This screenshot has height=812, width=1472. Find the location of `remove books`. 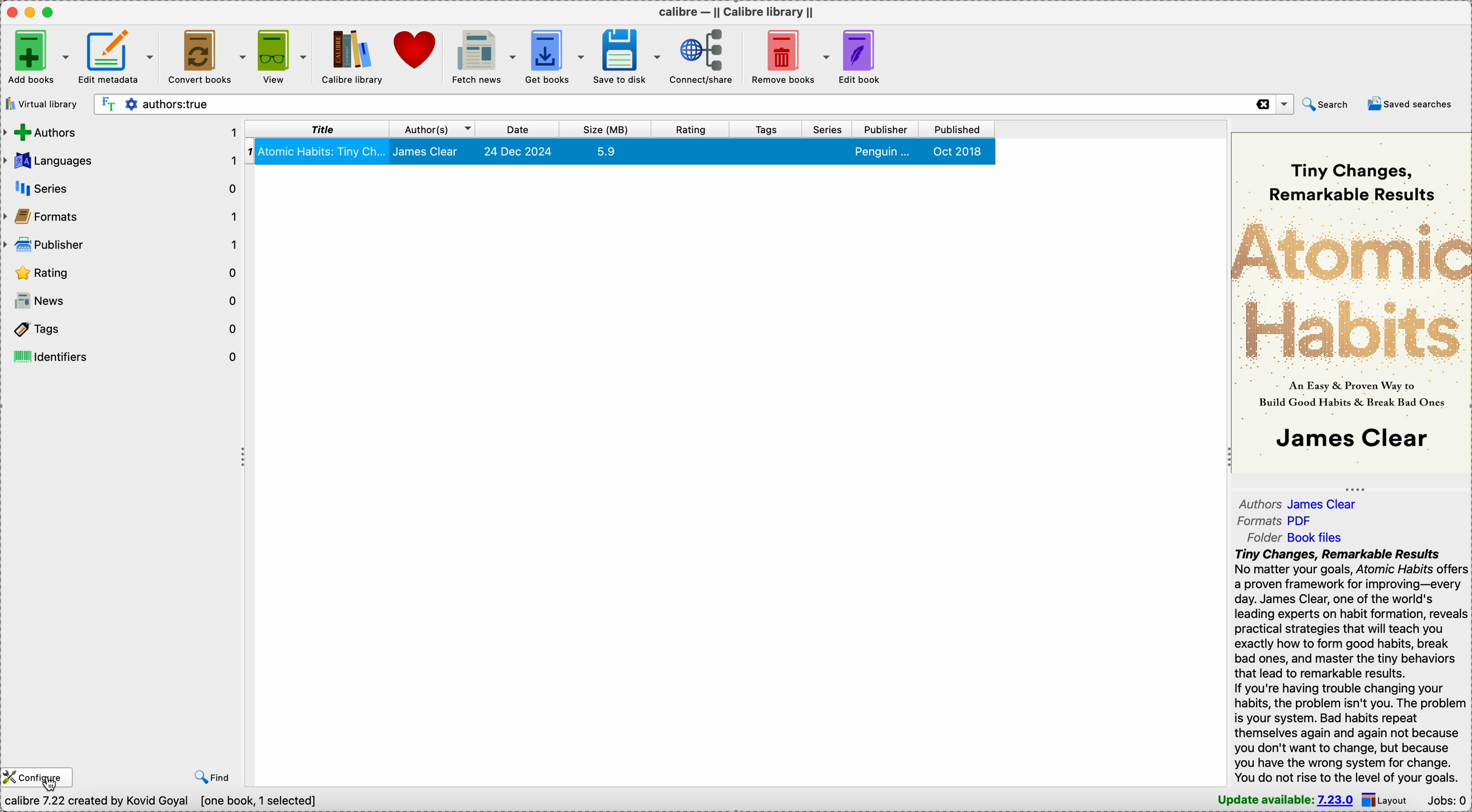

remove books is located at coordinates (787, 58).